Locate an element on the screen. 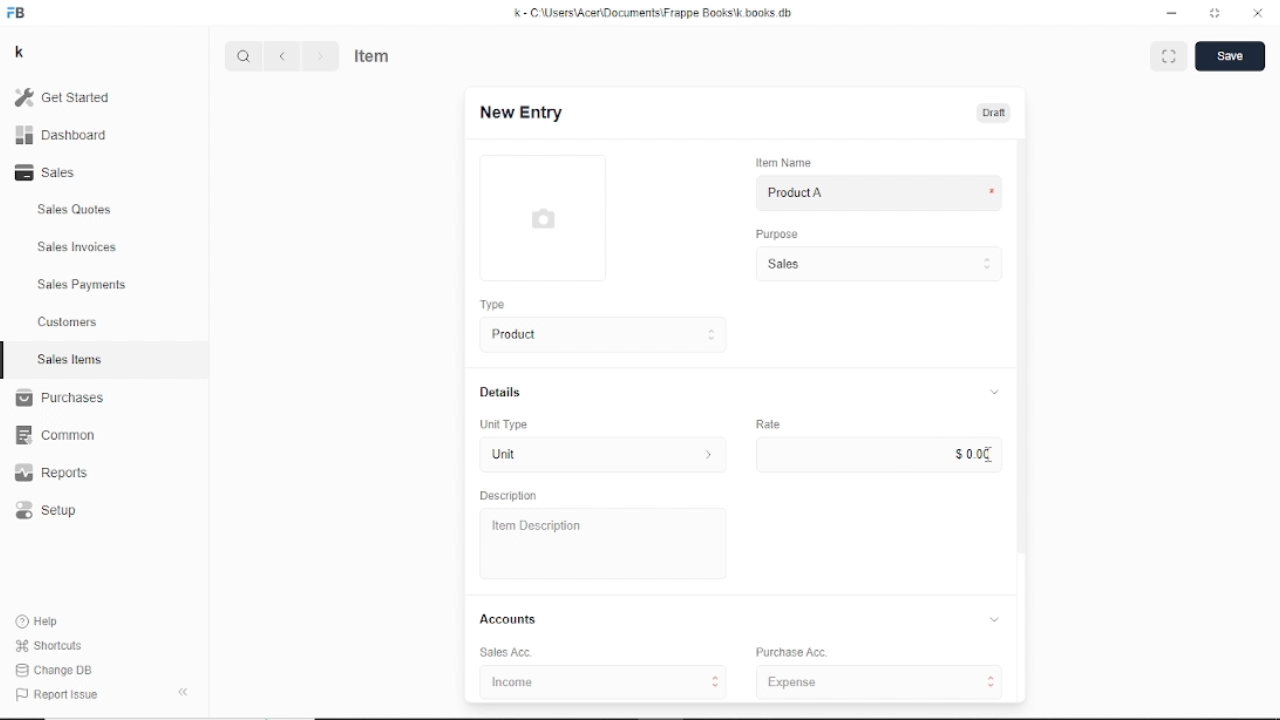 This screenshot has height=720, width=1280. Purchases is located at coordinates (59, 397).